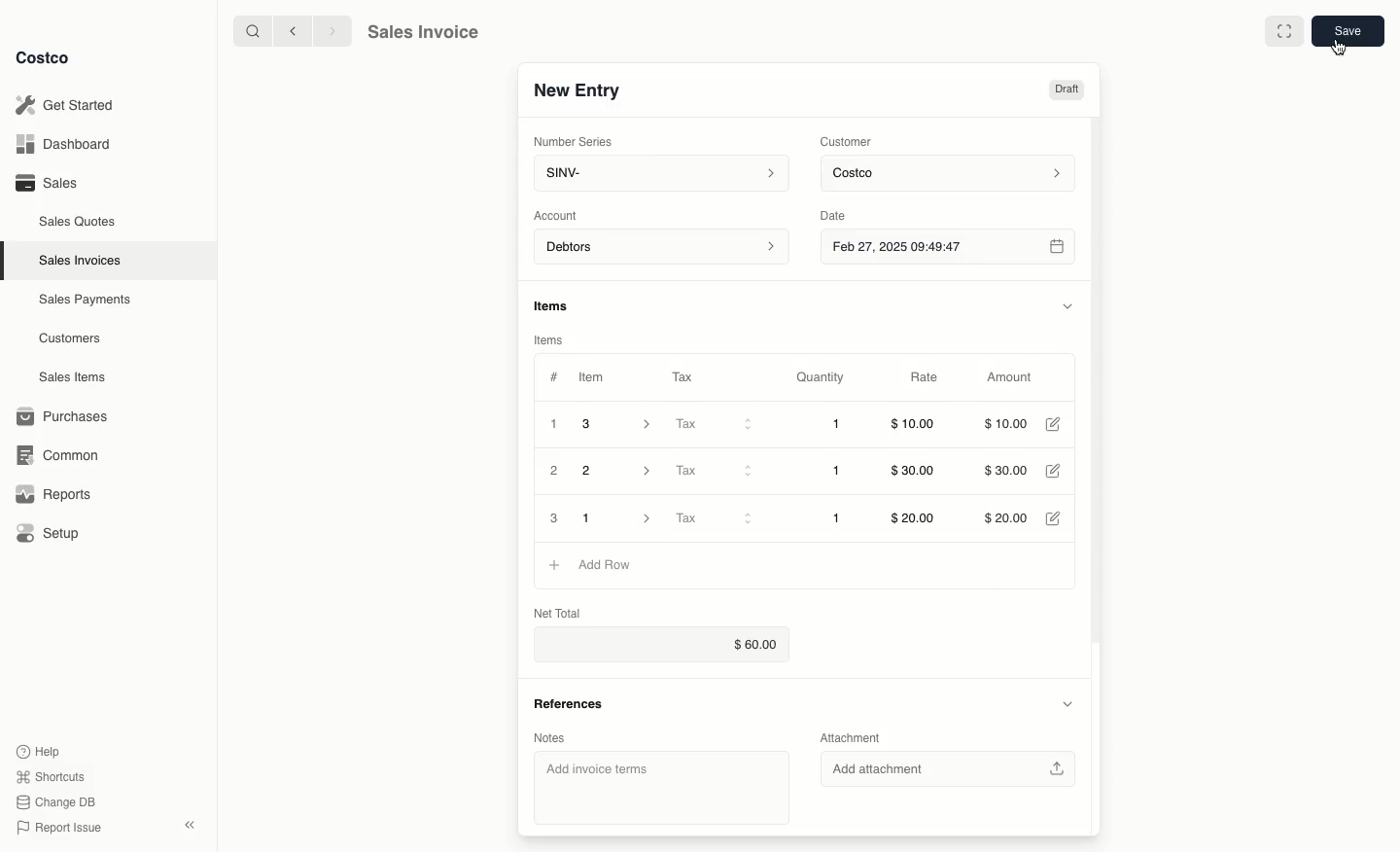 The width and height of the screenshot is (1400, 852). What do you see at coordinates (1057, 472) in the screenshot?
I see `Edit` at bounding box center [1057, 472].